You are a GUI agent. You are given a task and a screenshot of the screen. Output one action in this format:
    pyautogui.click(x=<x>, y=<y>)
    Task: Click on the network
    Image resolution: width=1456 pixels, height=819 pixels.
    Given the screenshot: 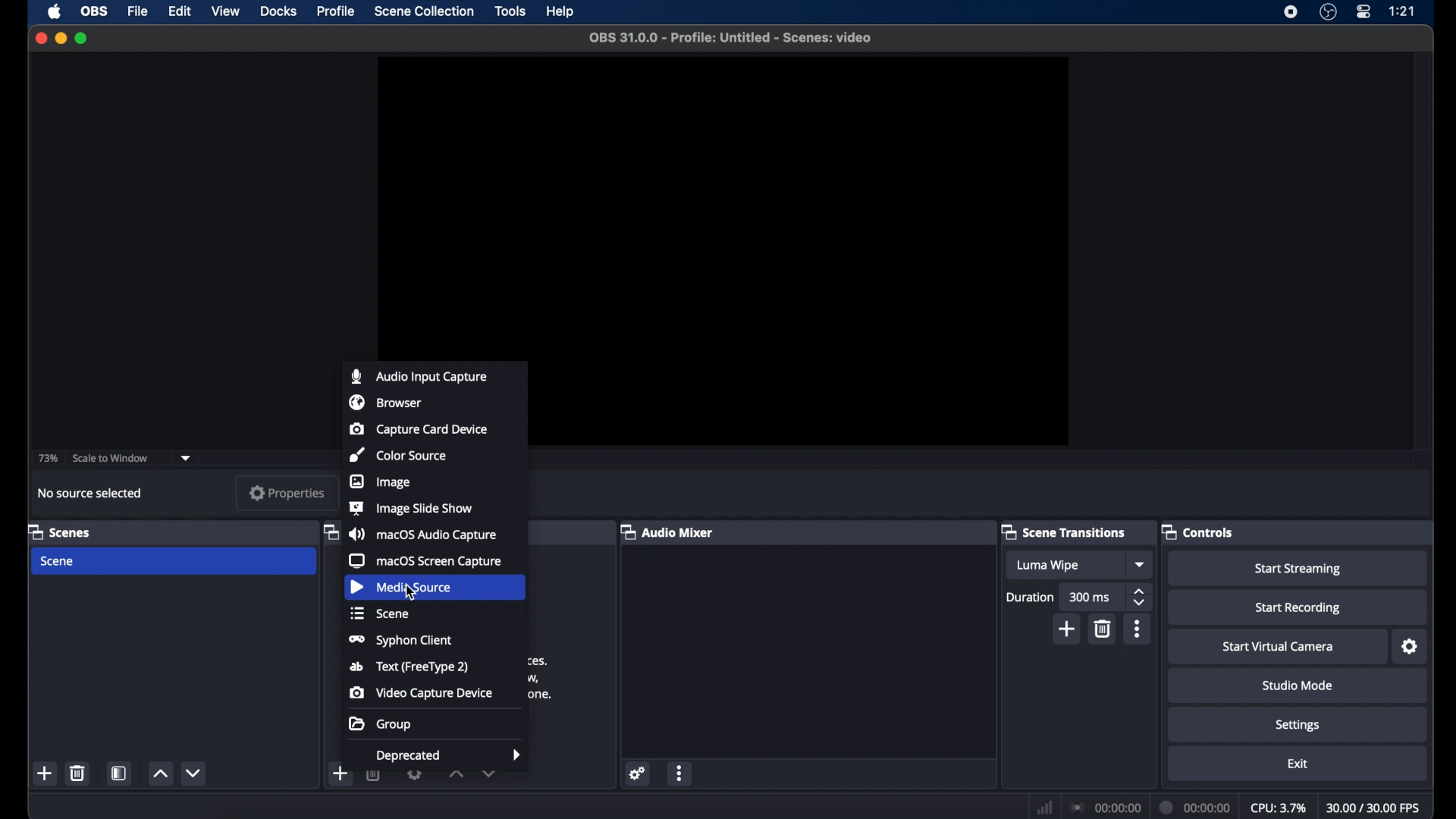 What is the action you would take?
    pyautogui.click(x=1043, y=808)
    